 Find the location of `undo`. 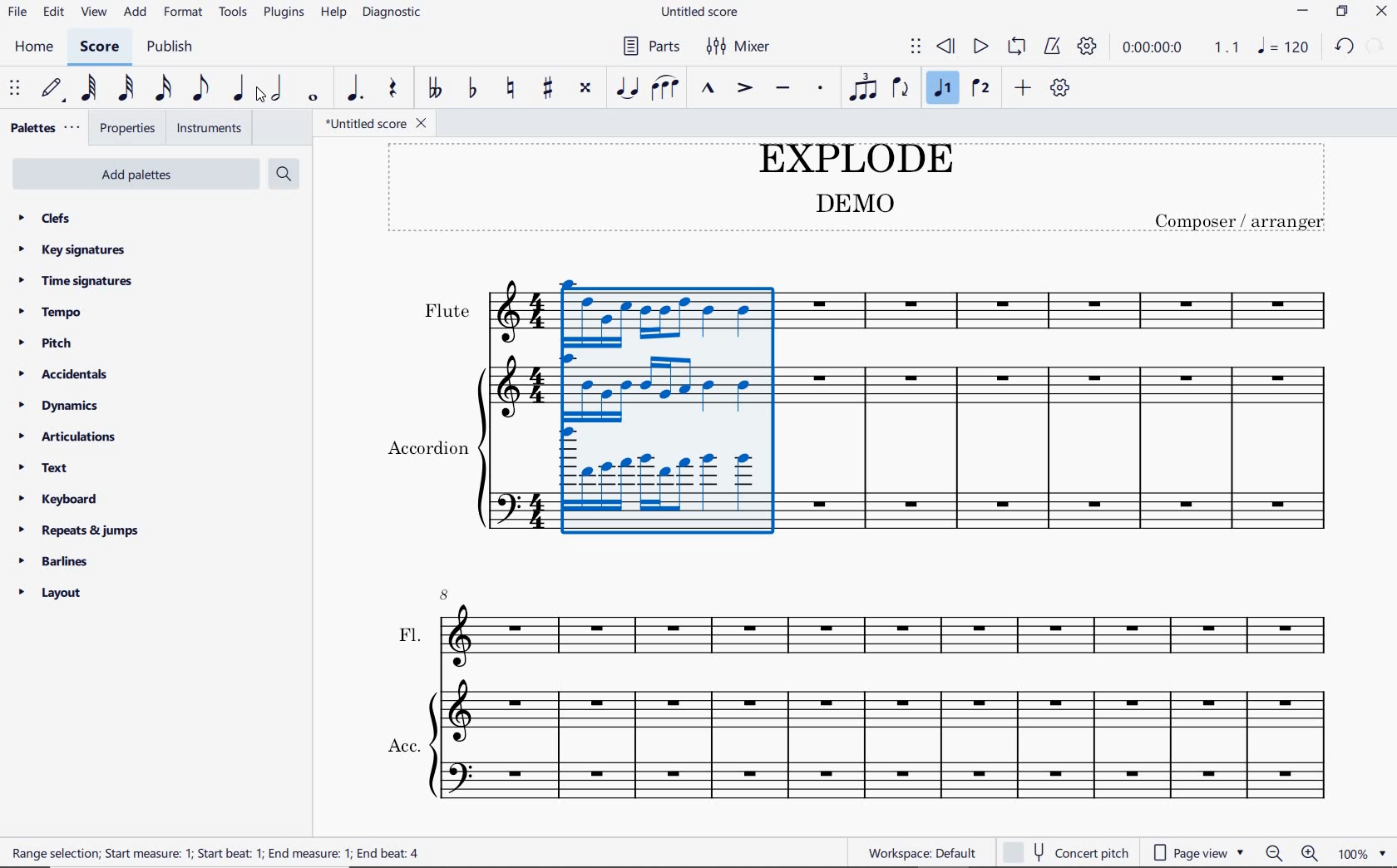

undo is located at coordinates (1377, 45).